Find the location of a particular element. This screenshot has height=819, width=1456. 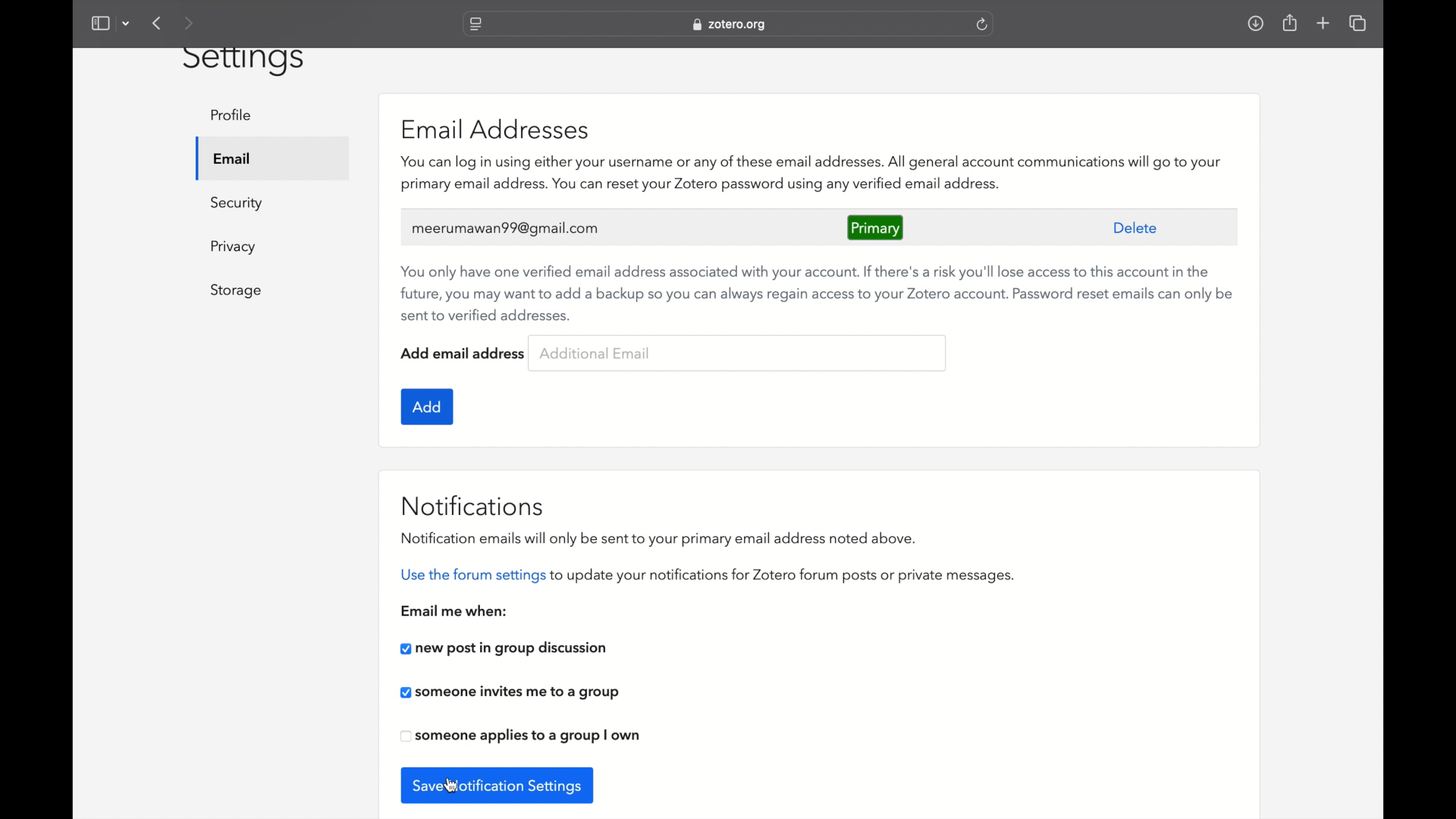

settings is located at coordinates (243, 64).